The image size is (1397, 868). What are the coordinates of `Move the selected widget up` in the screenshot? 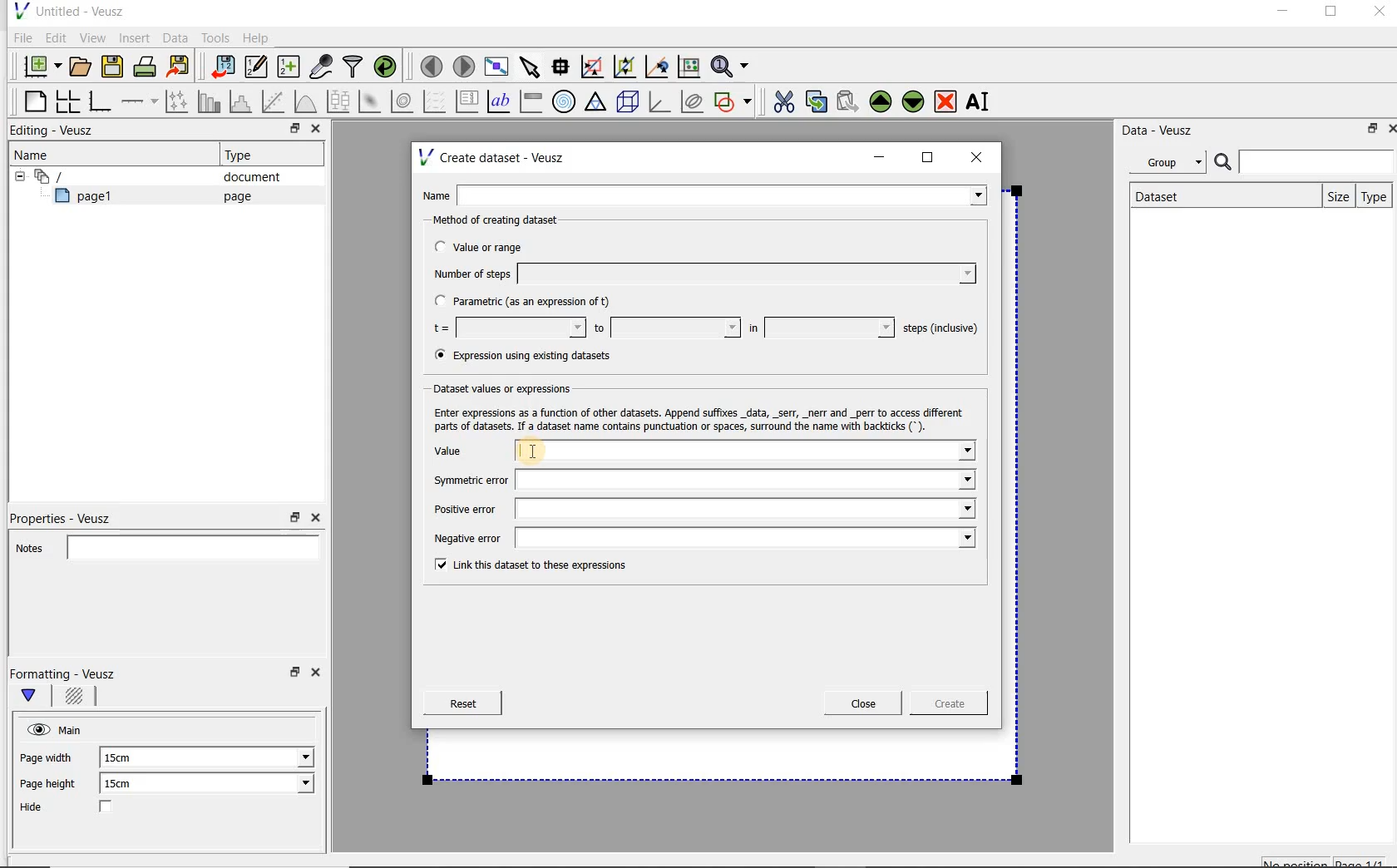 It's located at (881, 101).